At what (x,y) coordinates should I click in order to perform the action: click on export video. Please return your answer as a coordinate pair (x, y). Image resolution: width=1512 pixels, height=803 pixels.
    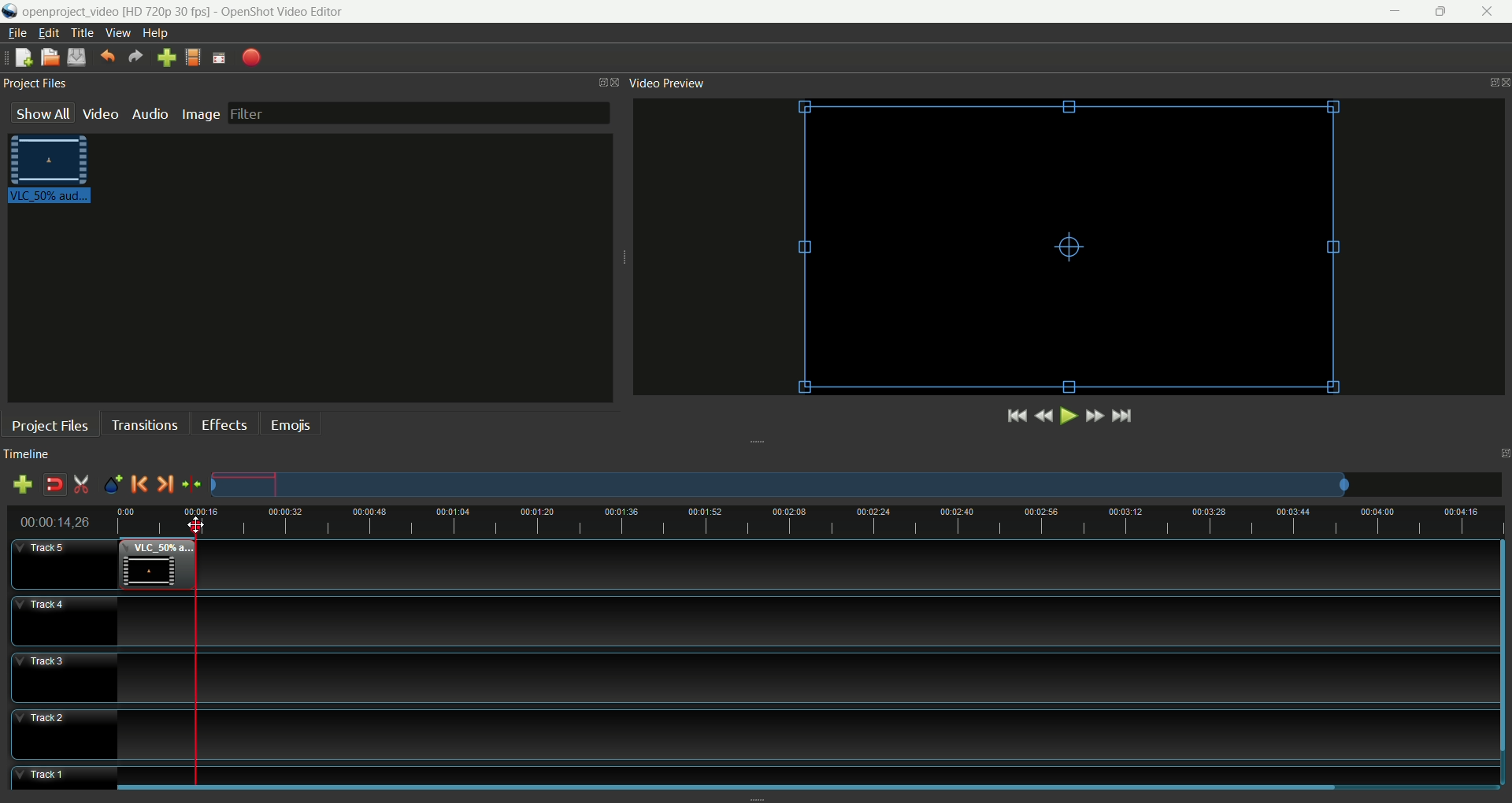
    Looking at the image, I should click on (253, 57).